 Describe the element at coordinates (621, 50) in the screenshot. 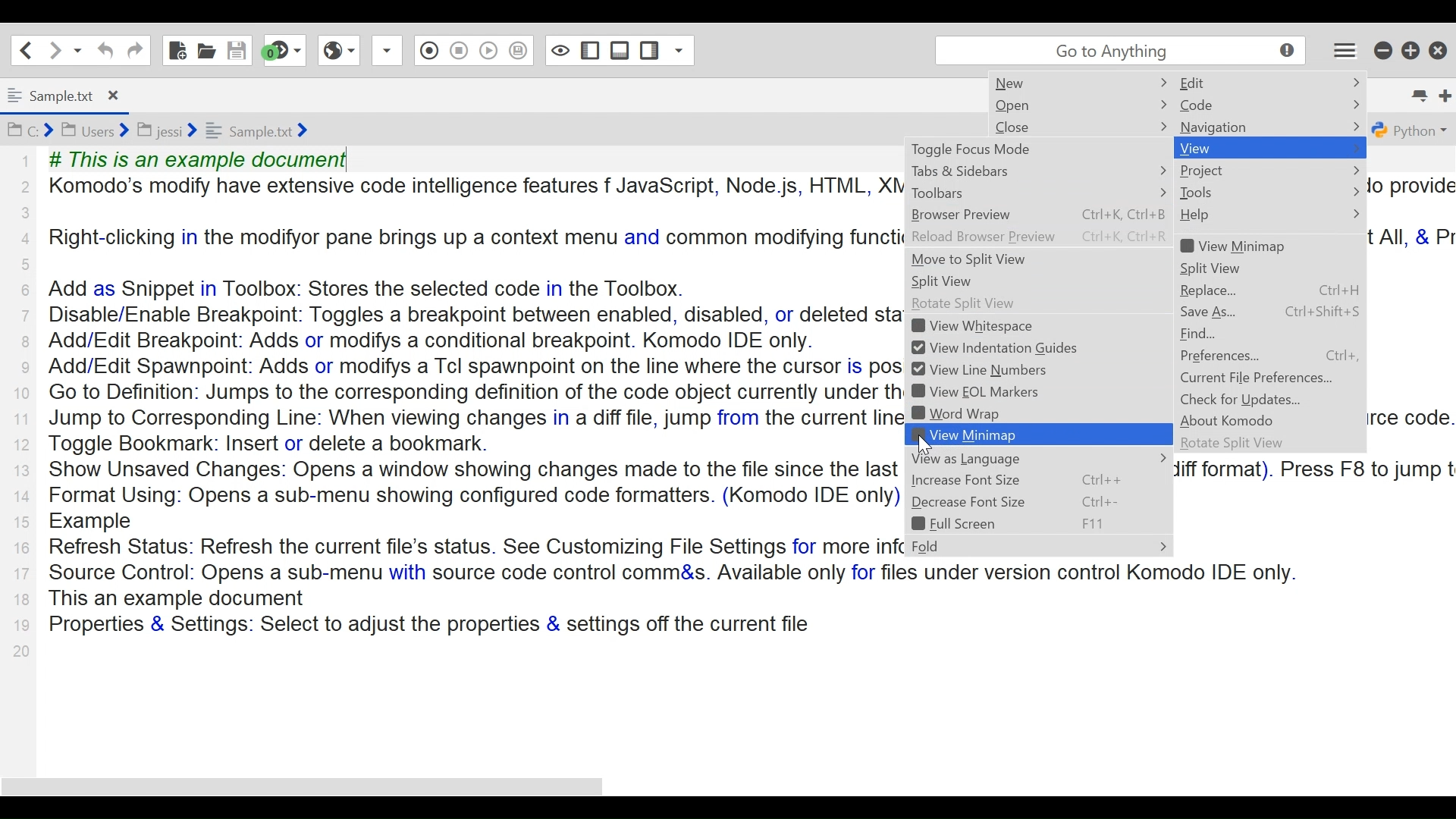

I see `Show/Hide Left Pane` at that location.